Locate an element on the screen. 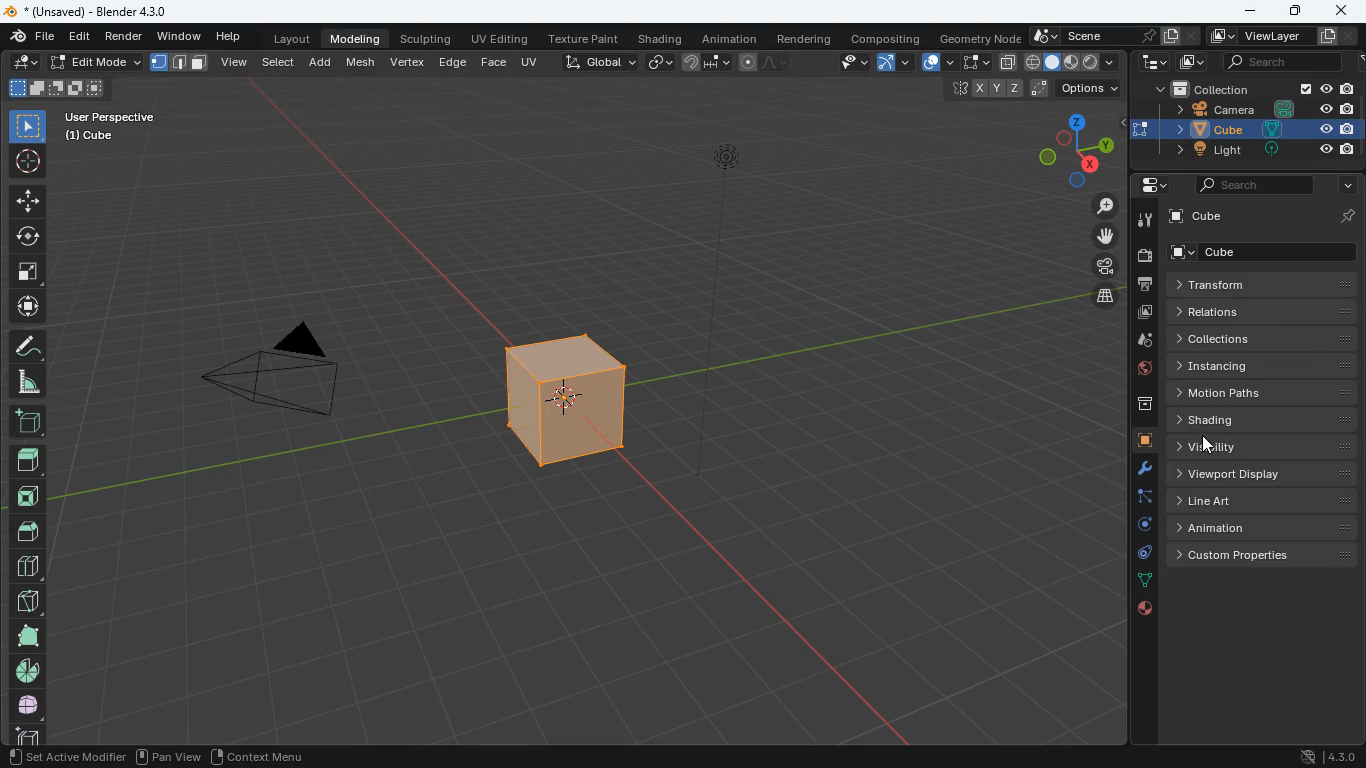 The width and height of the screenshot is (1366, 768). layout is located at coordinates (287, 39).